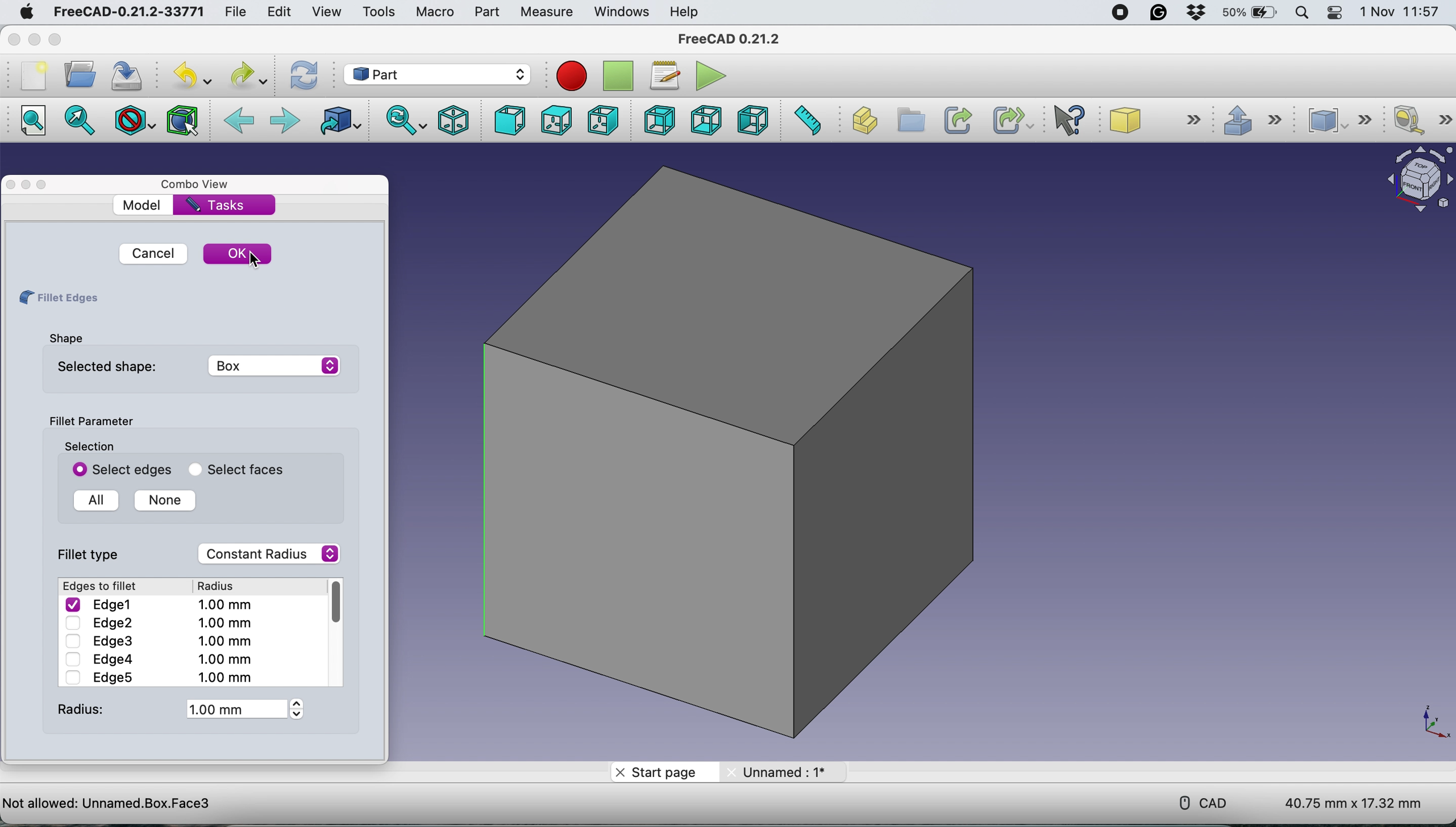  Describe the element at coordinates (135, 123) in the screenshot. I see `draw style` at that location.